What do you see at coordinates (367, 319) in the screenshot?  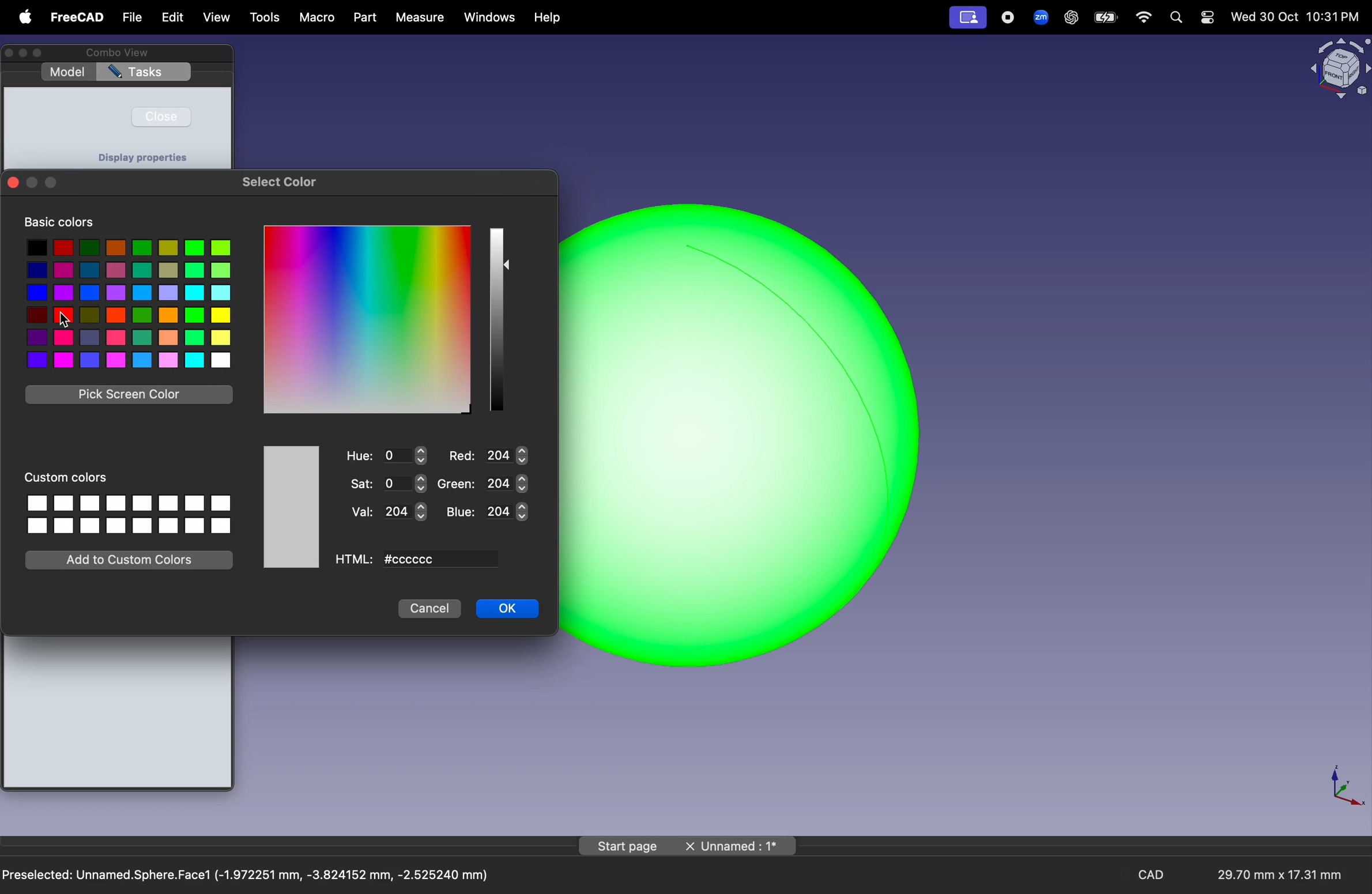 I see `color scale` at bounding box center [367, 319].